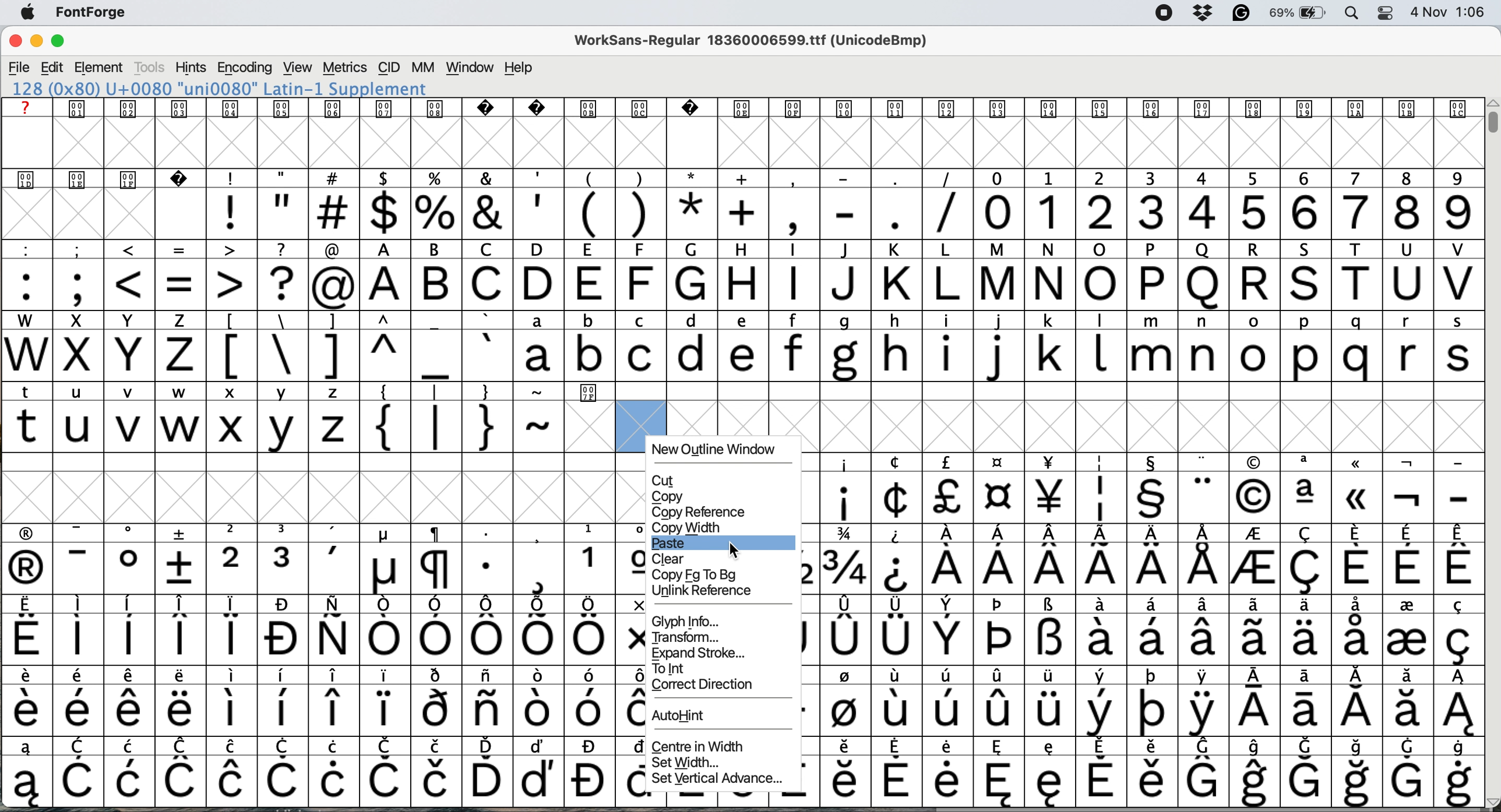 This screenshot has width=1501, height=812. What do you see at coordinates (686, 764) in the screenshot?
I see `set width...` at bounding box center [686, 764].